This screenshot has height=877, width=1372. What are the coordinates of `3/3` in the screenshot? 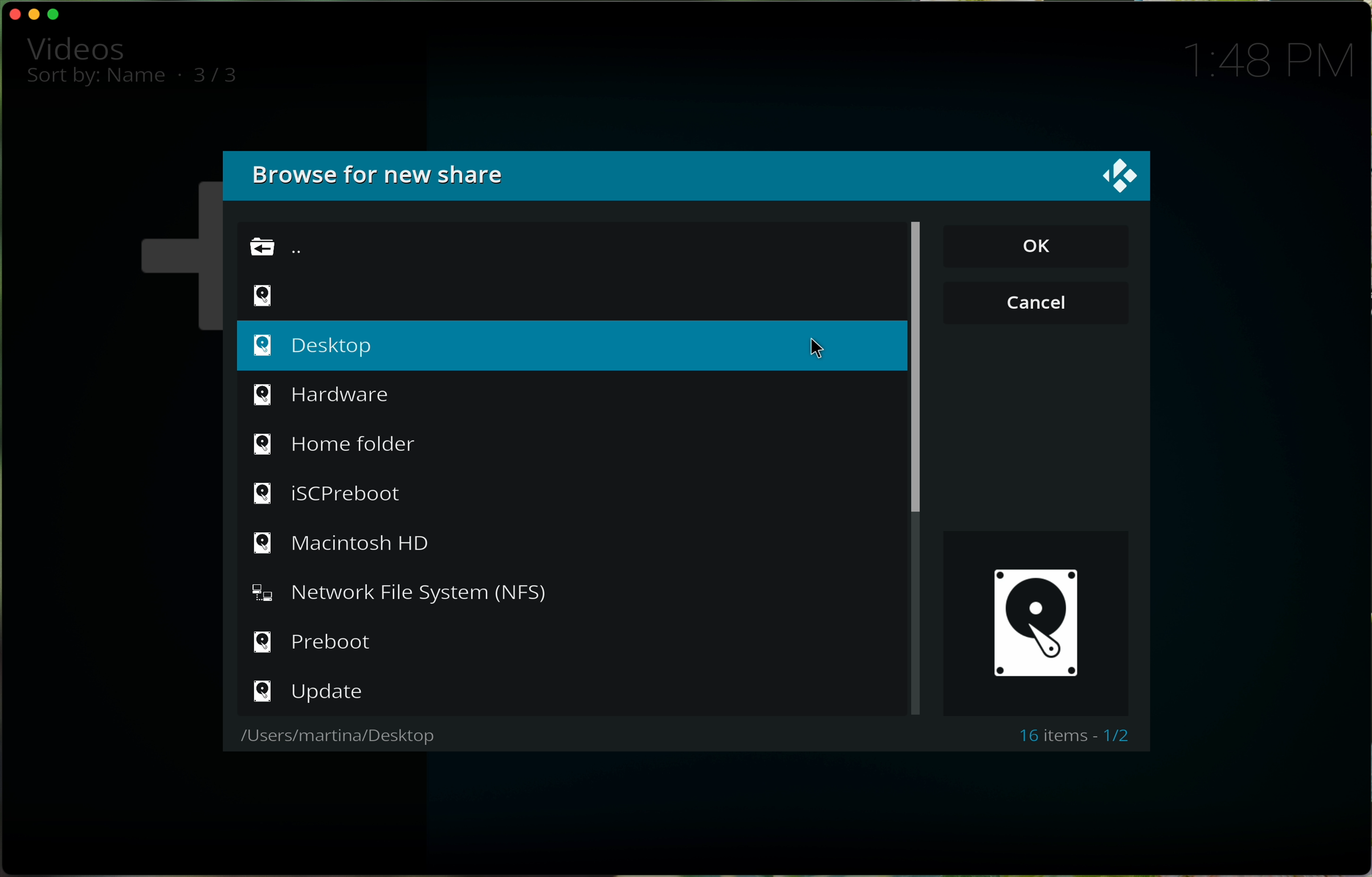 It's located at (225, 76).